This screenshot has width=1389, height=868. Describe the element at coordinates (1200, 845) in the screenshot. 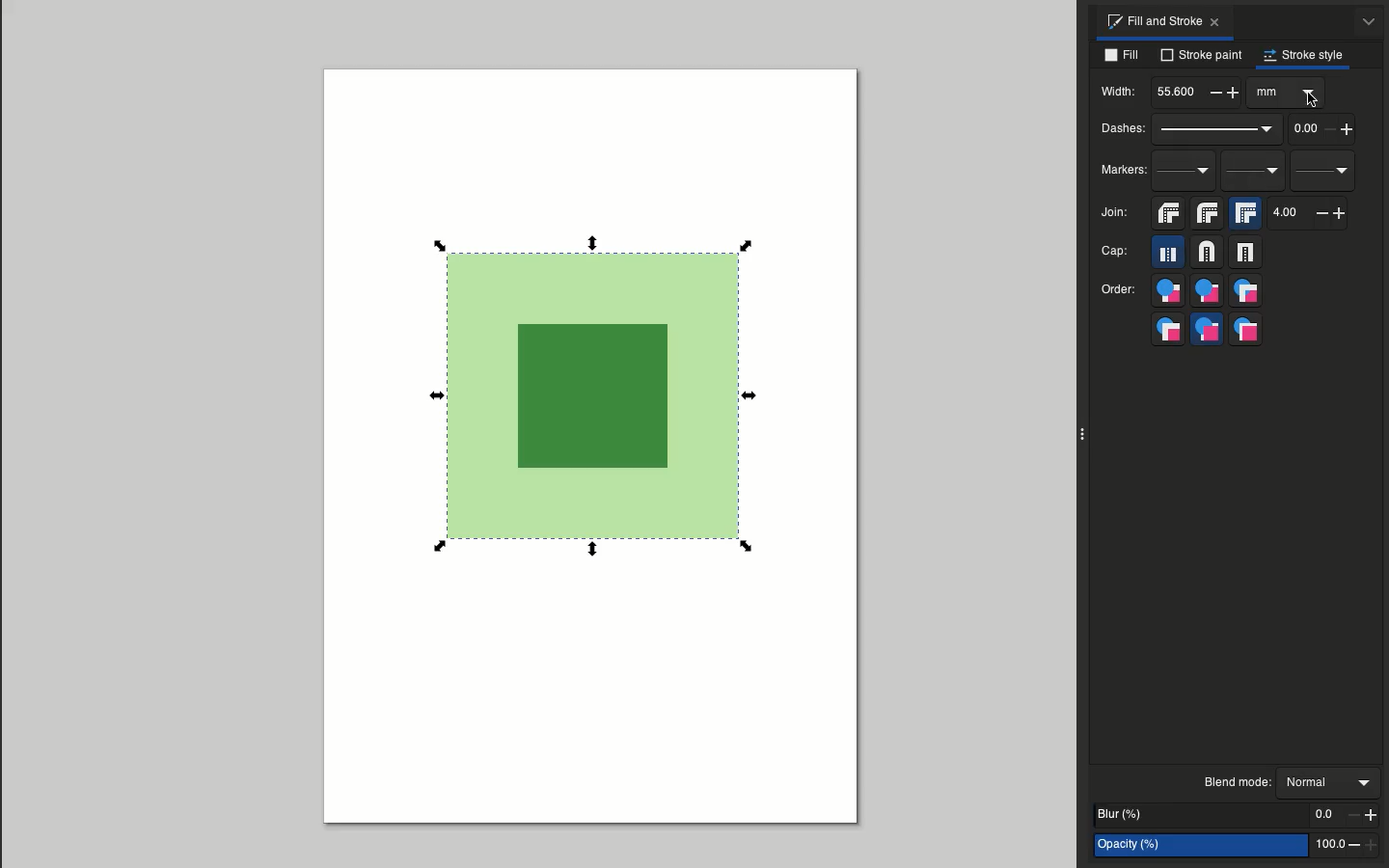

I see `Opacity` at that location.